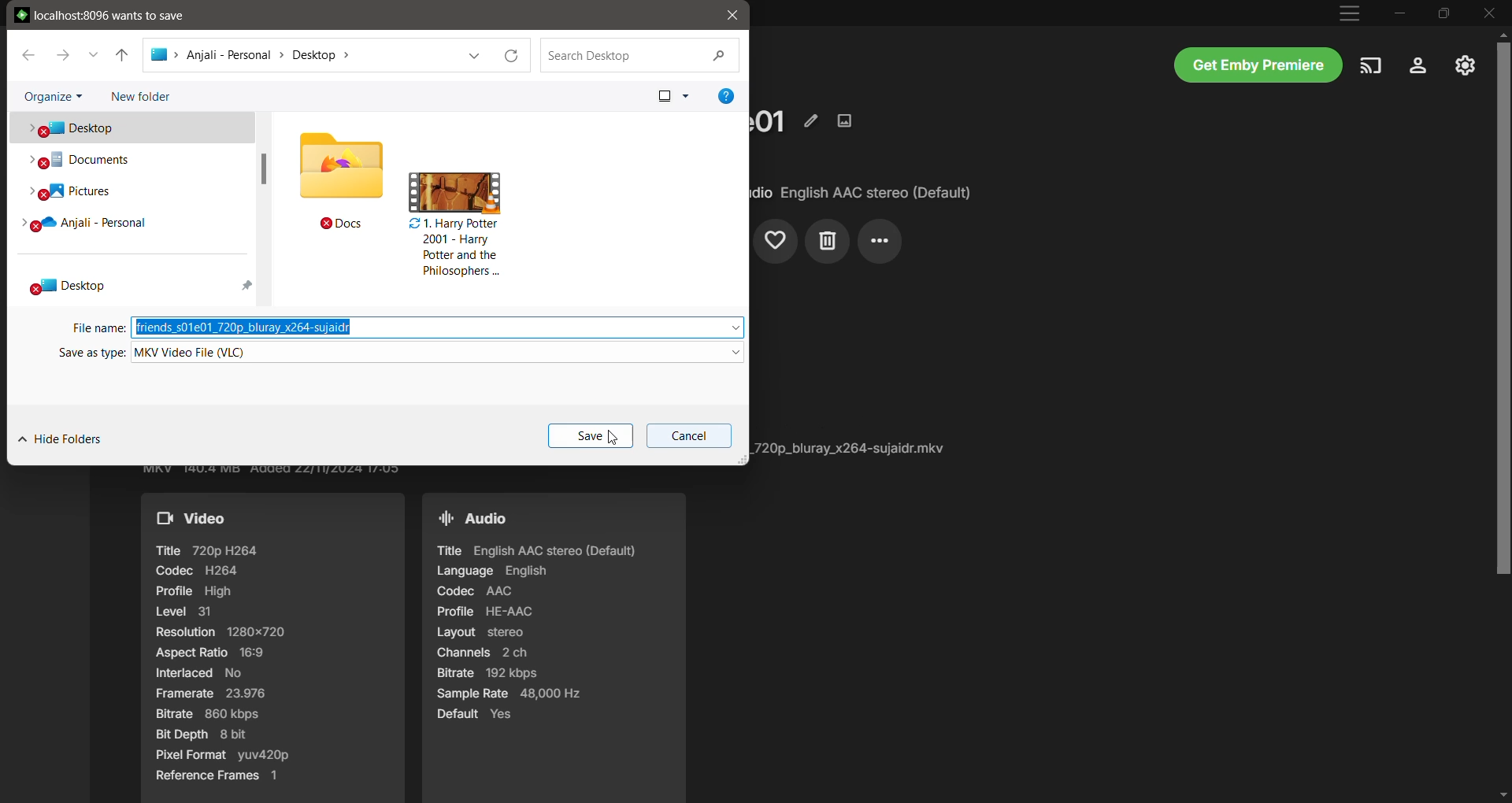  What do you see at coordinates (772, 120) in the screenshot?
I see `TV episode name and details` at bounding box center [772, 120].